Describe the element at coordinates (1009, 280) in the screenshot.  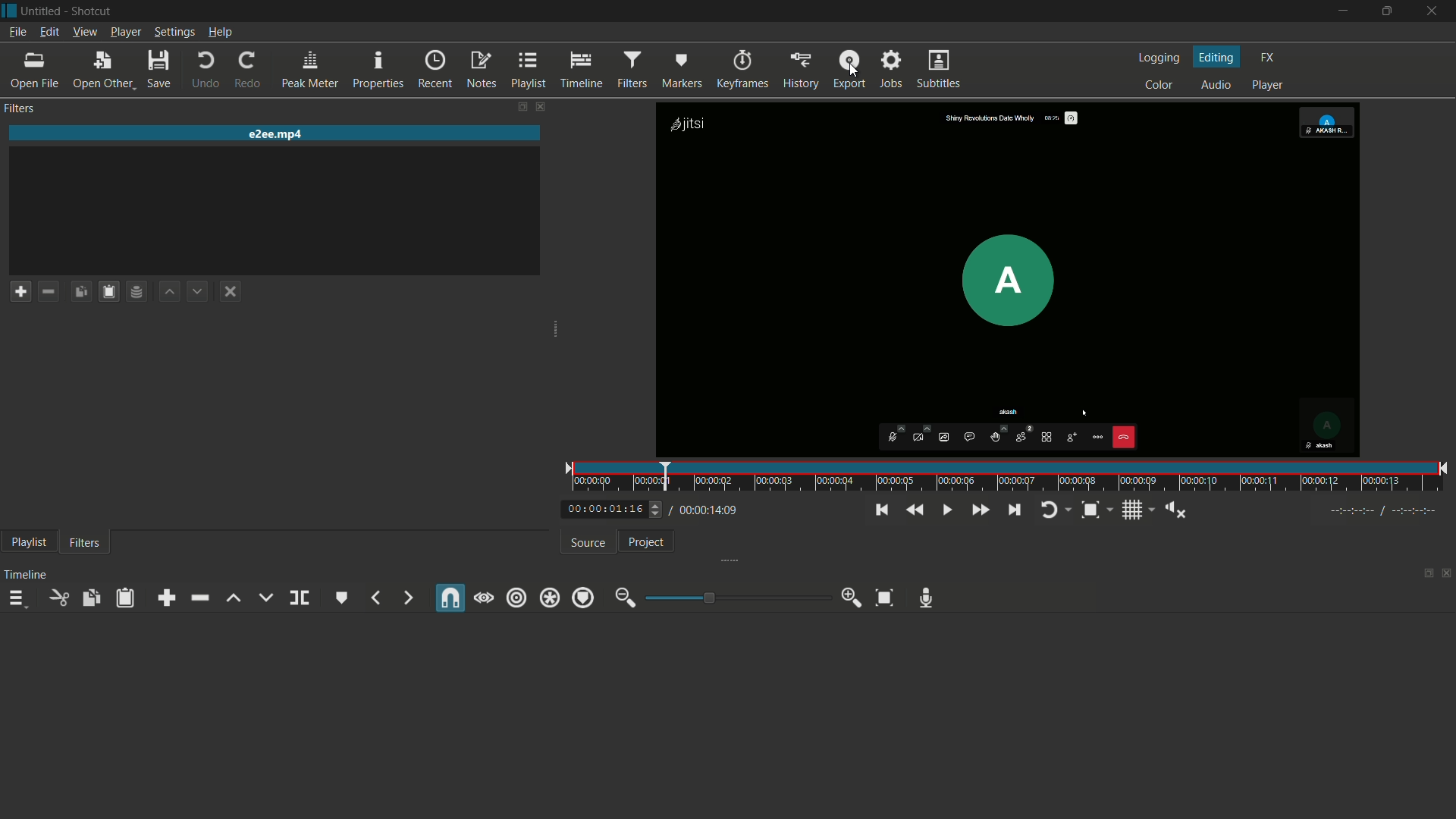
I see `imported file` at that location.